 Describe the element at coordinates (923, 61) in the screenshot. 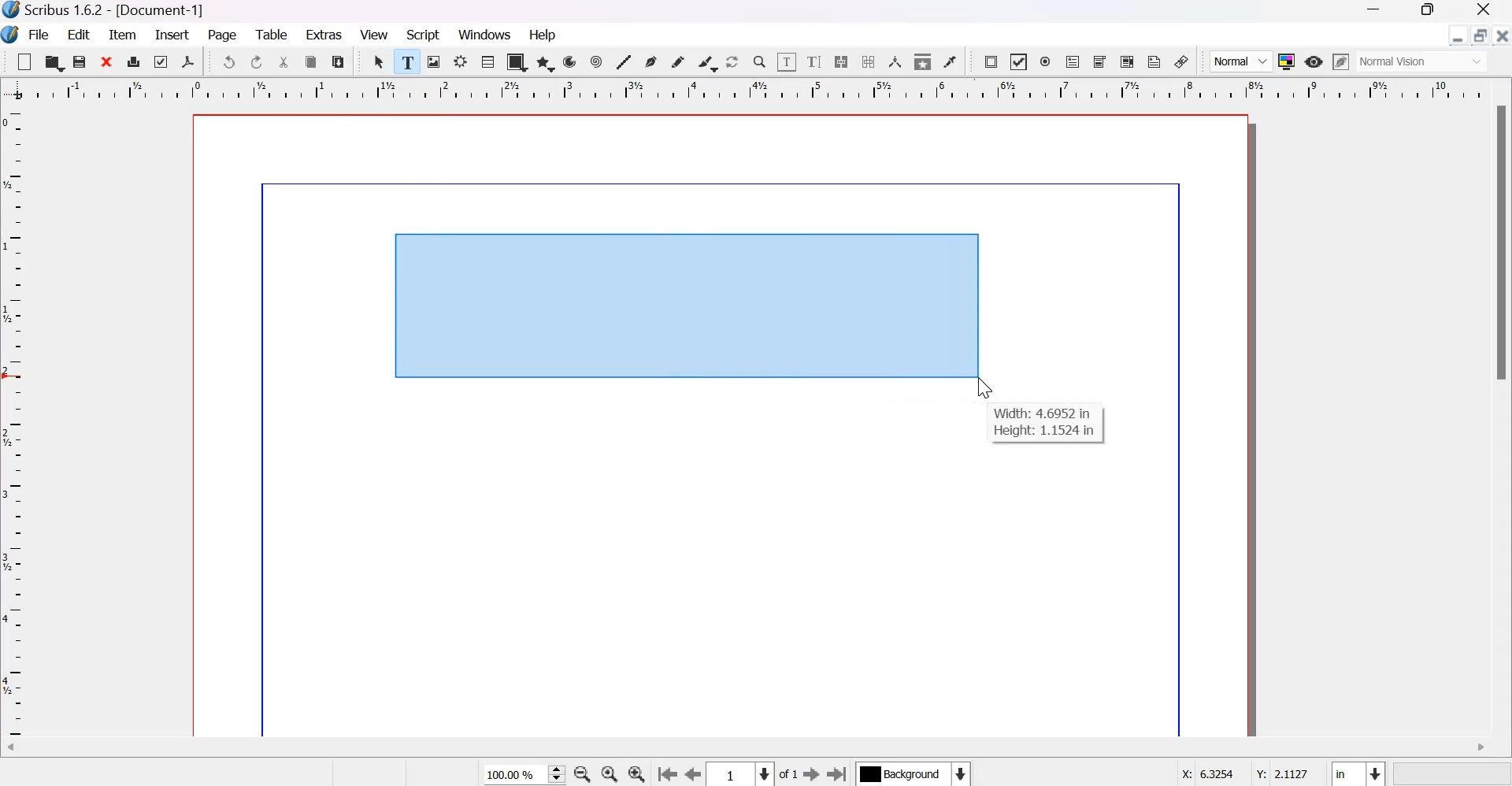

I see `copy item properties` at that location.